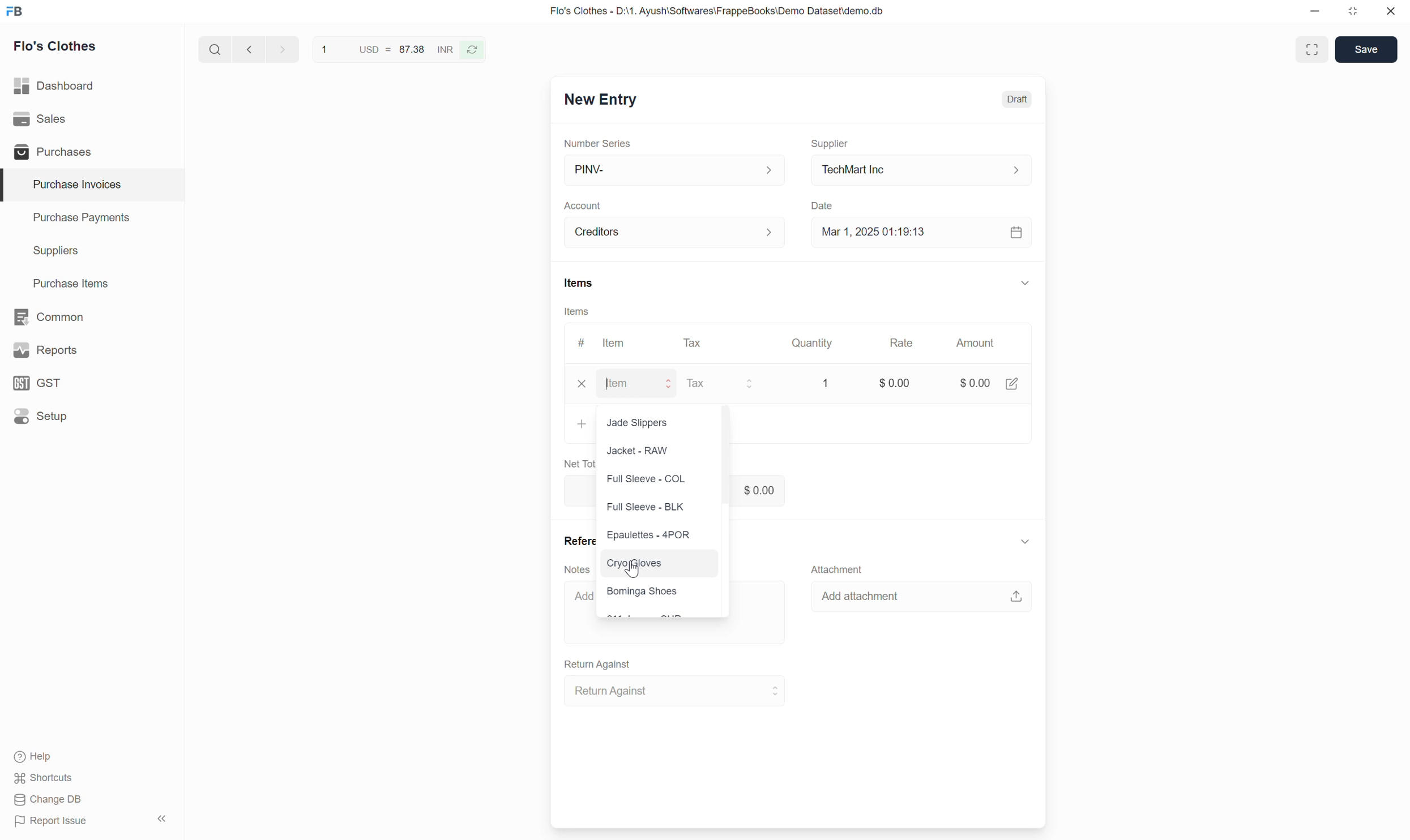 Image resolution: width=1410 pixels, height=840 pixels. What do you see at coordinates (890, 383) in the screenshot?
I see `$0.00` at bounding box center [890, 383].